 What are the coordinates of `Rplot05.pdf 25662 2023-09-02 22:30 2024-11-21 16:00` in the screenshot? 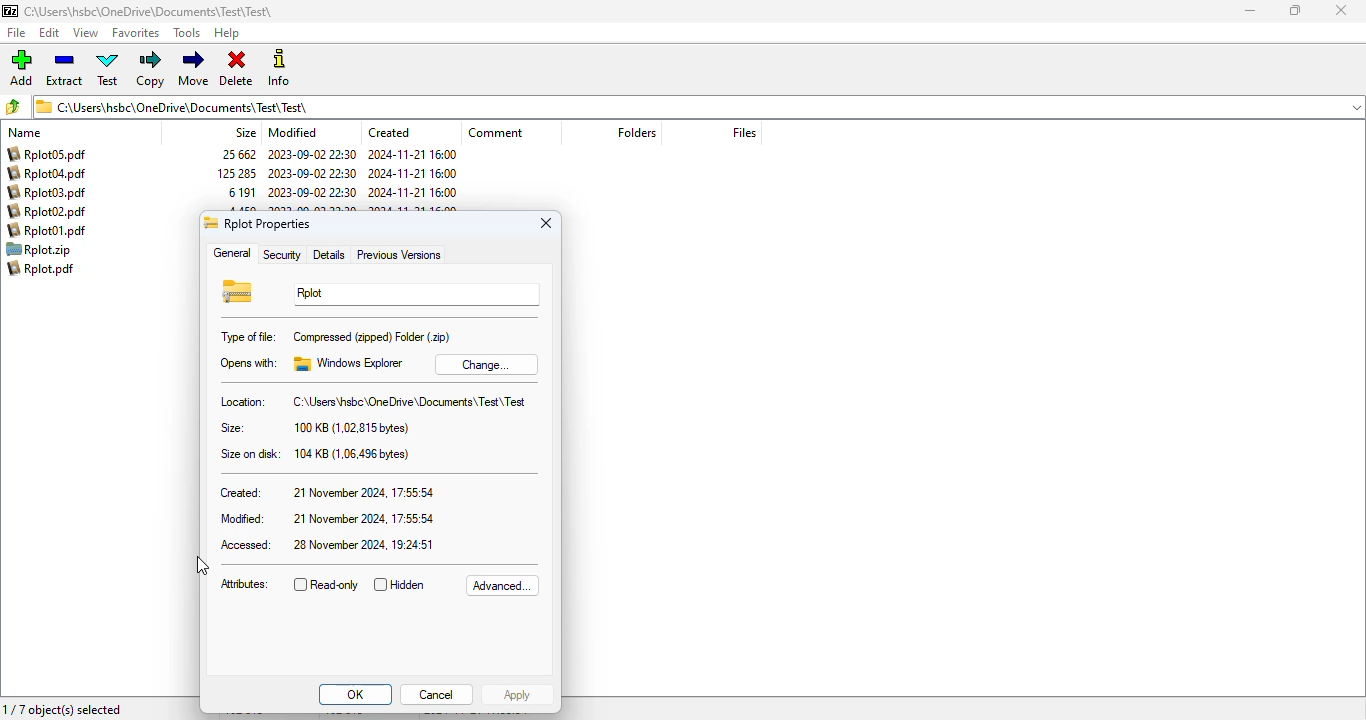 It's located at (231, 155).